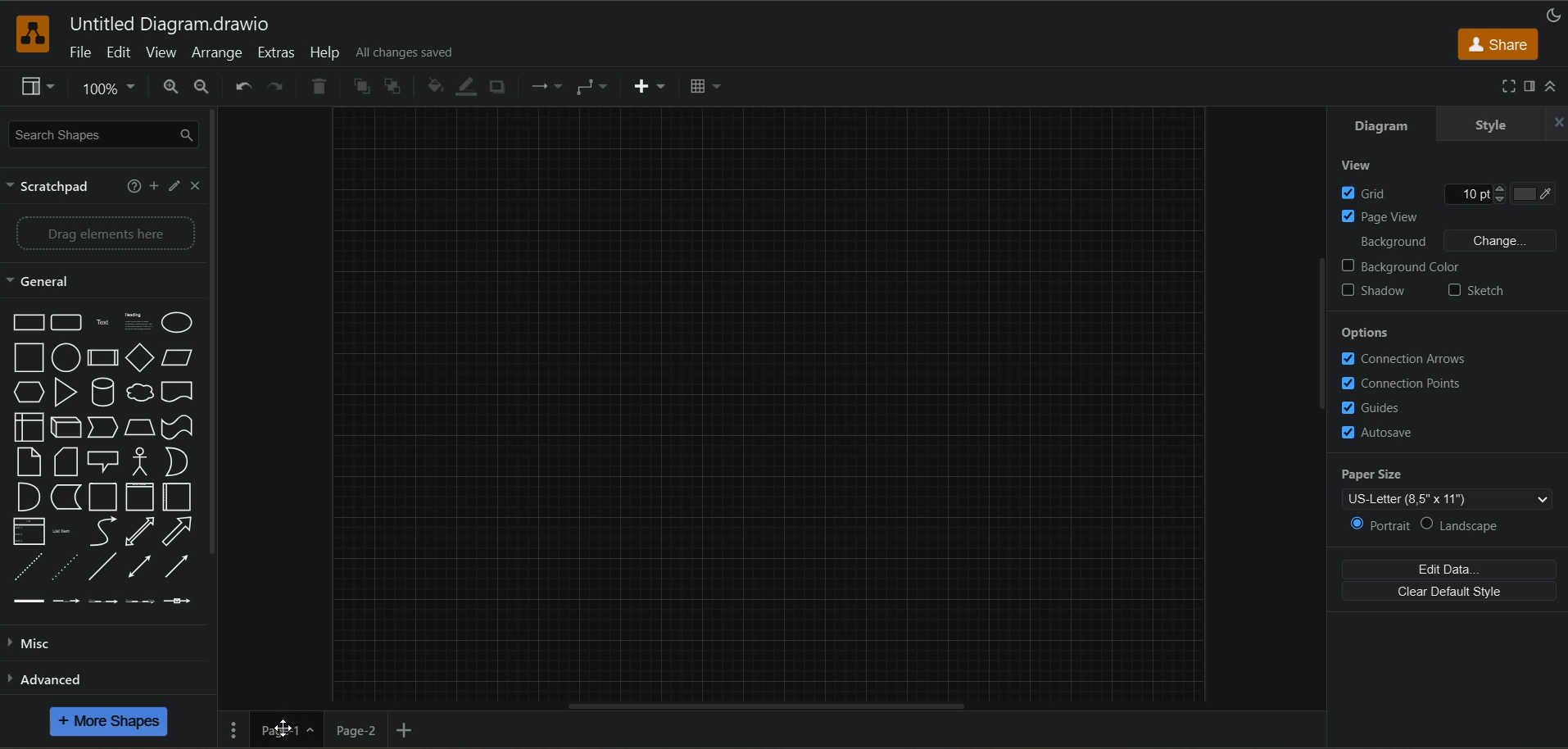  What do you see at coordinates (61, 683) in the screenshot?
I see `advanced` at bounding box center [61, 683].